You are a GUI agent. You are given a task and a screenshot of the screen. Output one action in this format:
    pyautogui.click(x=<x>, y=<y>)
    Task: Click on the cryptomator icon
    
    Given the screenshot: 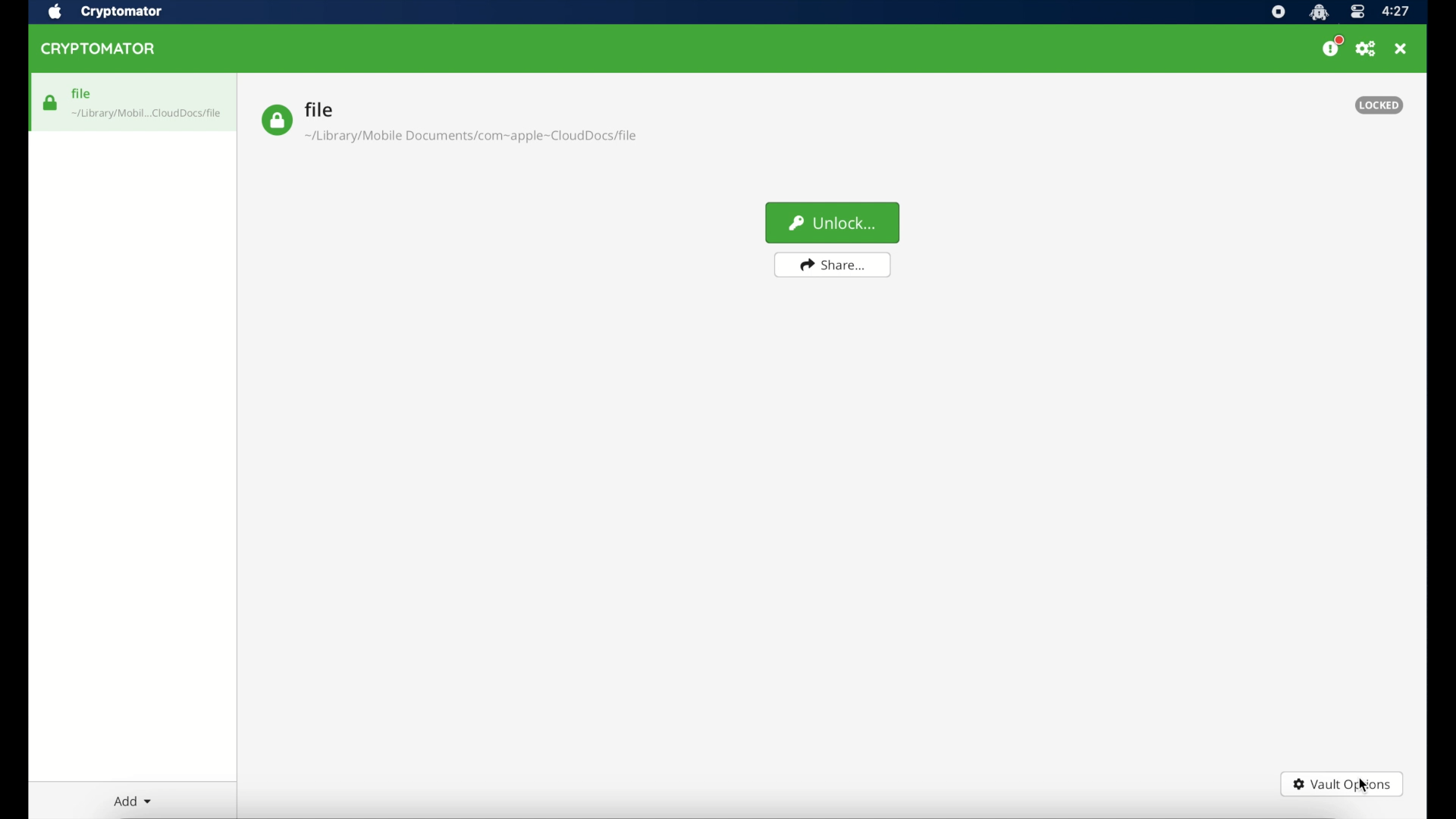 What is the action you would take?
    pyautogui.click(x=1319, y=12)
    